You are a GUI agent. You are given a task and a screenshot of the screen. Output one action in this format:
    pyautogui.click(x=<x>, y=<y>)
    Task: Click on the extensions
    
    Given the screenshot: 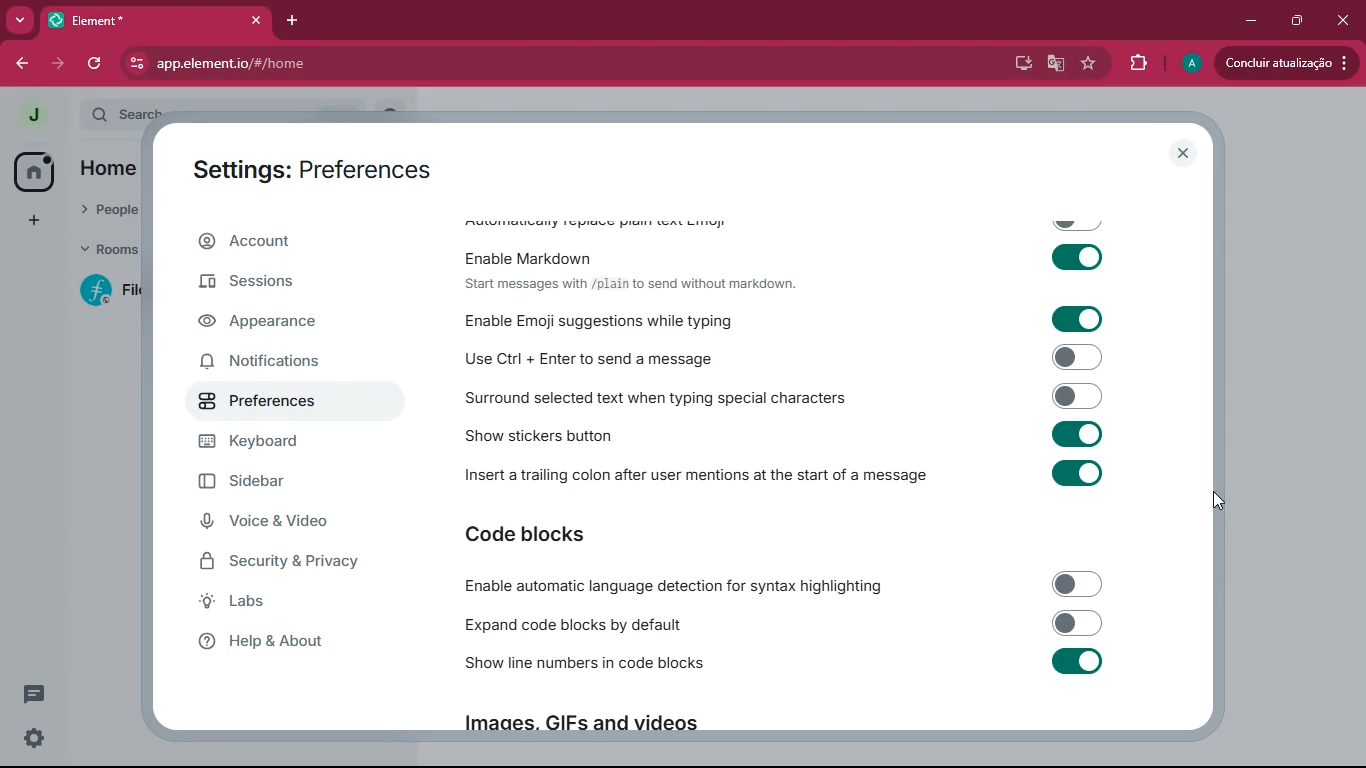 What is the action you would take?
    pyautogui.click(x=1137, y=66)
    